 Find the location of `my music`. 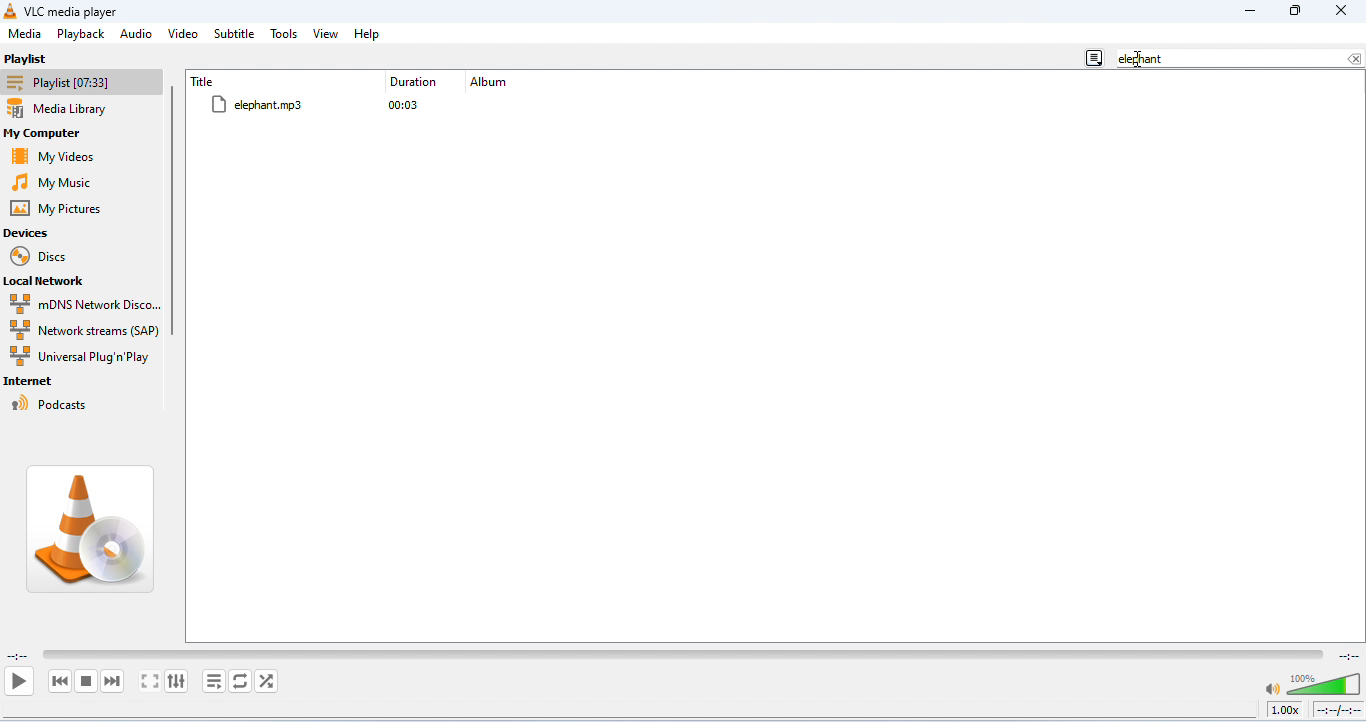

my music is located at coordinates (61, 182).